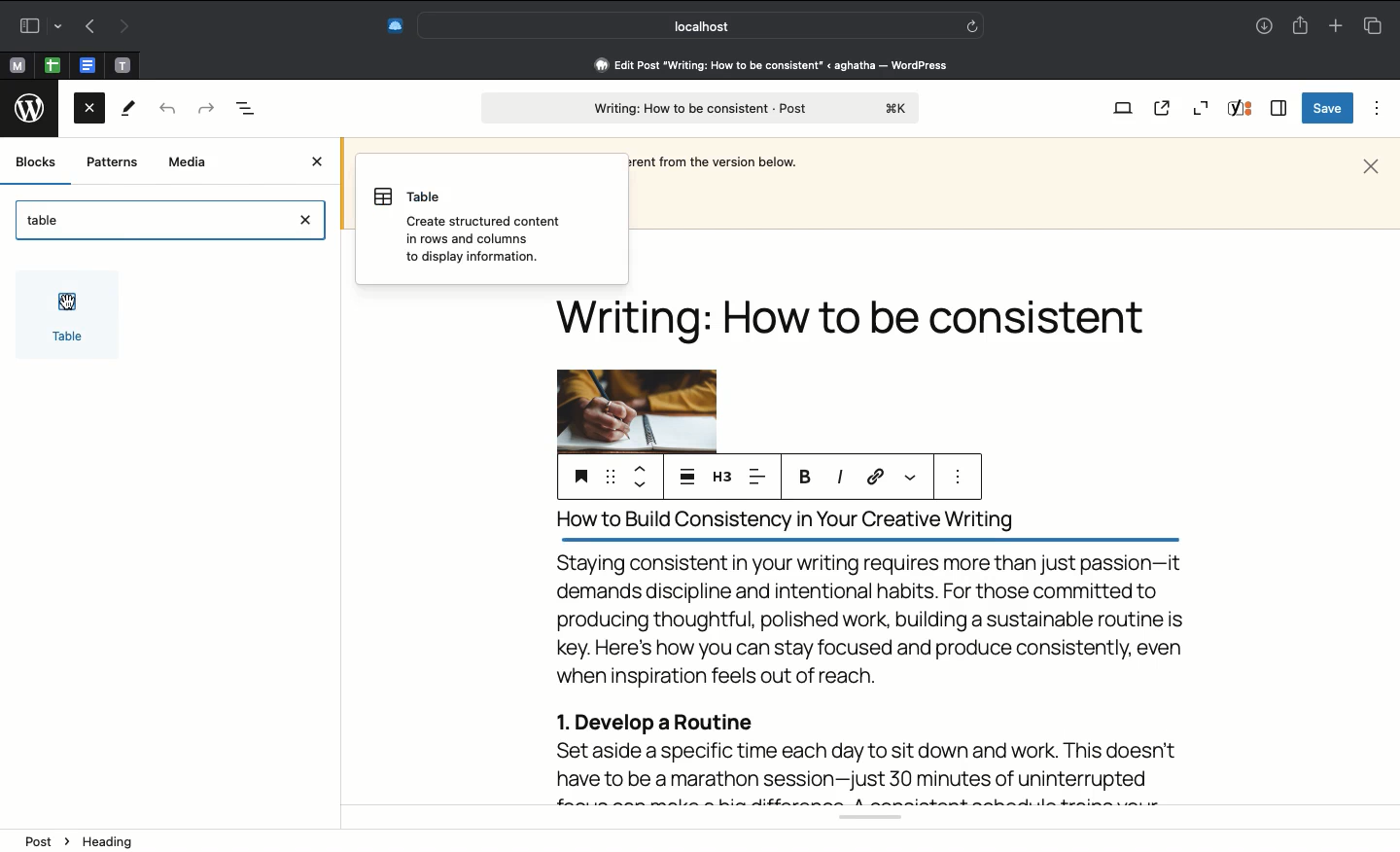 The image size is (1400, 852). Describe the element at coordinates (717, 162) in the screenshot. I see `text about backup` at that location.